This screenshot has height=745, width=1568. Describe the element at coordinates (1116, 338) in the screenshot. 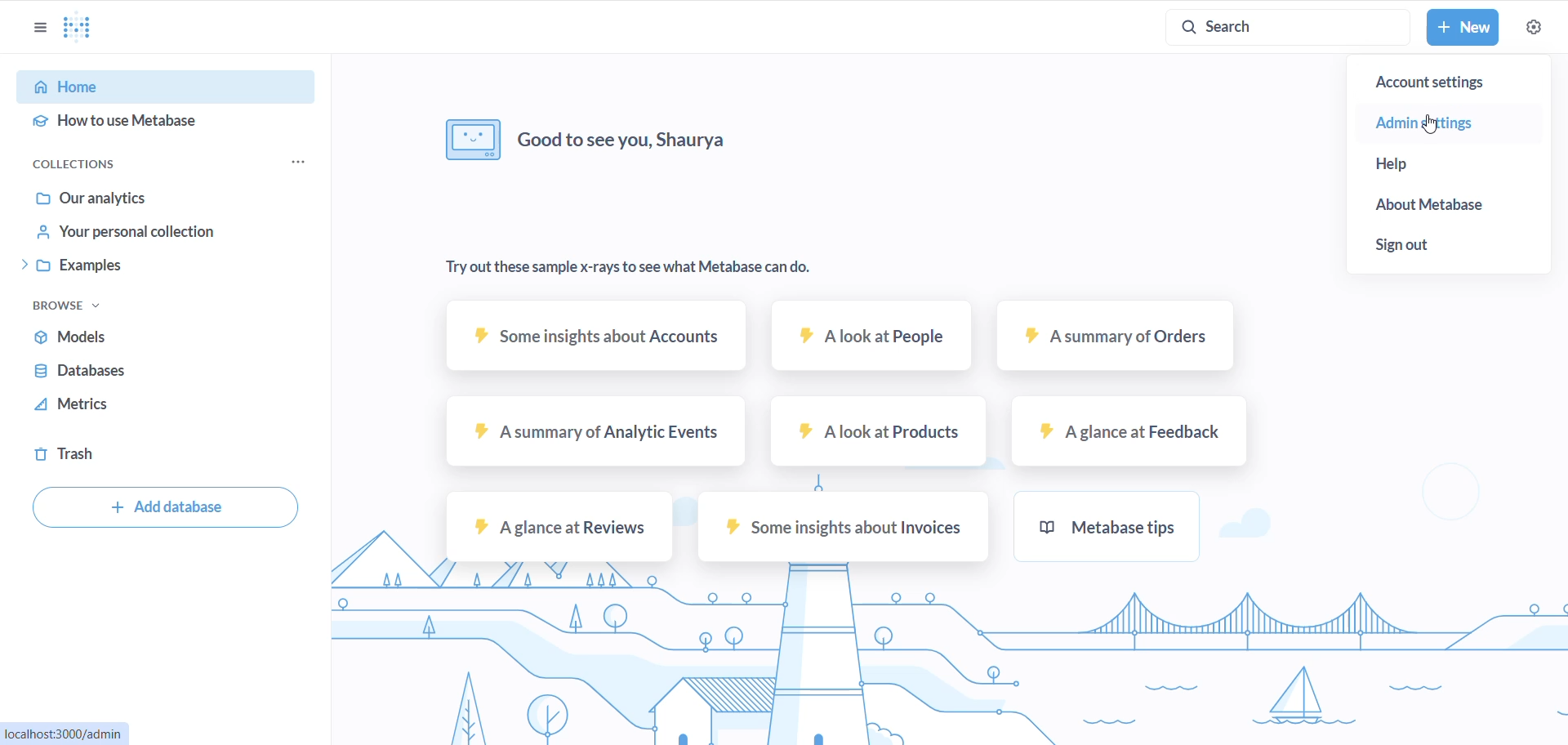

I see `A summary of orders` at that location.